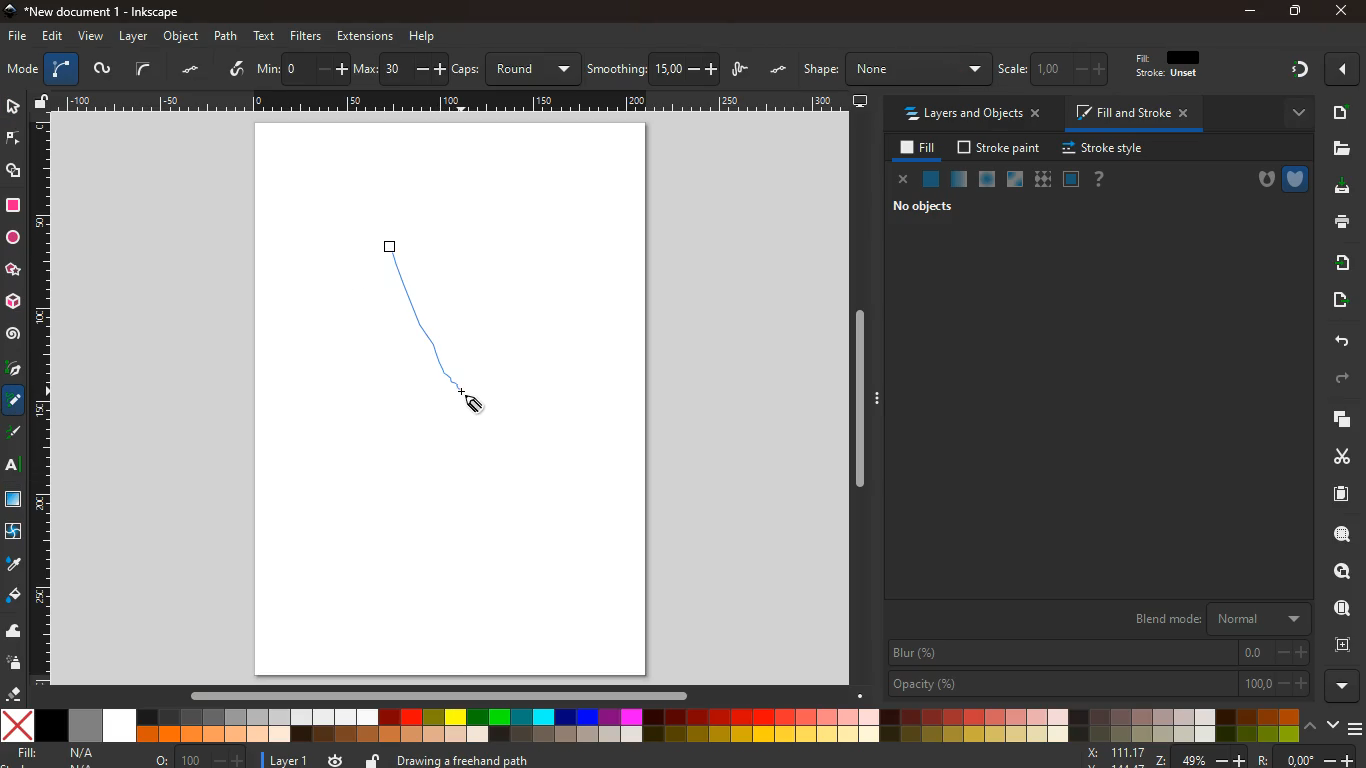 This screenshot has height=768, width=1366. I want to click on window, so click(1016, 180).